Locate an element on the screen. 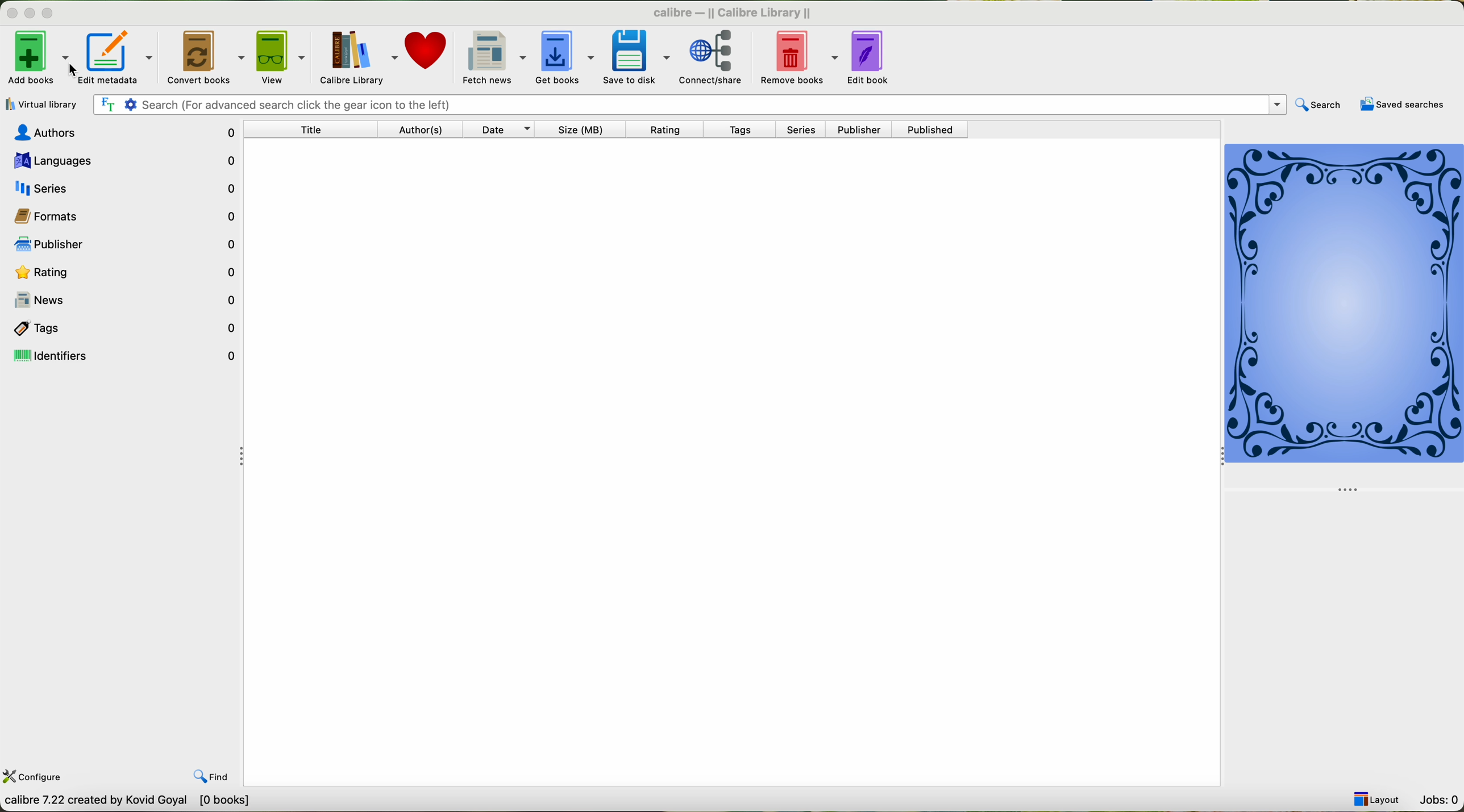  publisher is located at coordinates (862, 130).